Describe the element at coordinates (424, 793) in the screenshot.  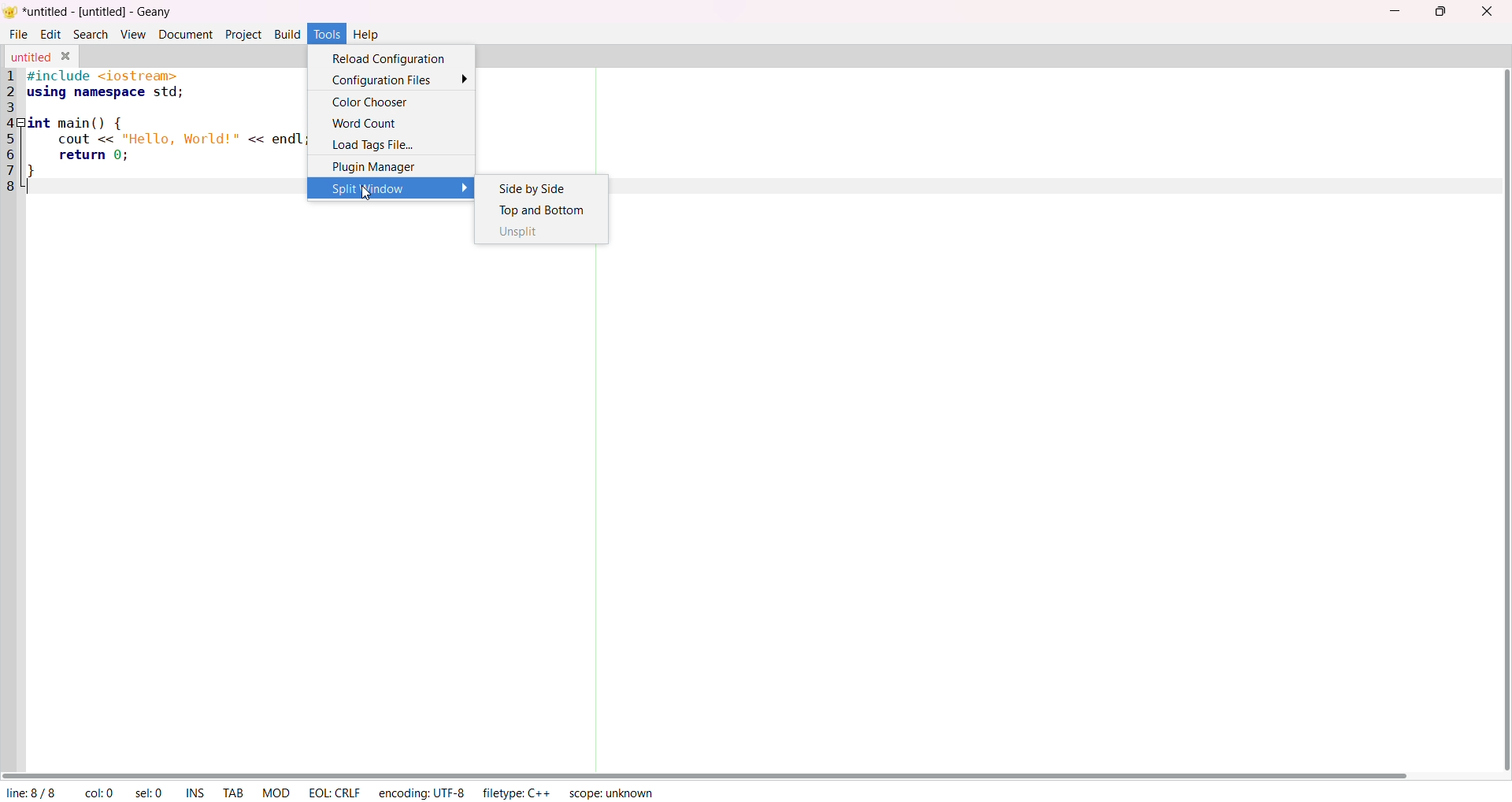
I see `encoding: UTF-8` at that location.